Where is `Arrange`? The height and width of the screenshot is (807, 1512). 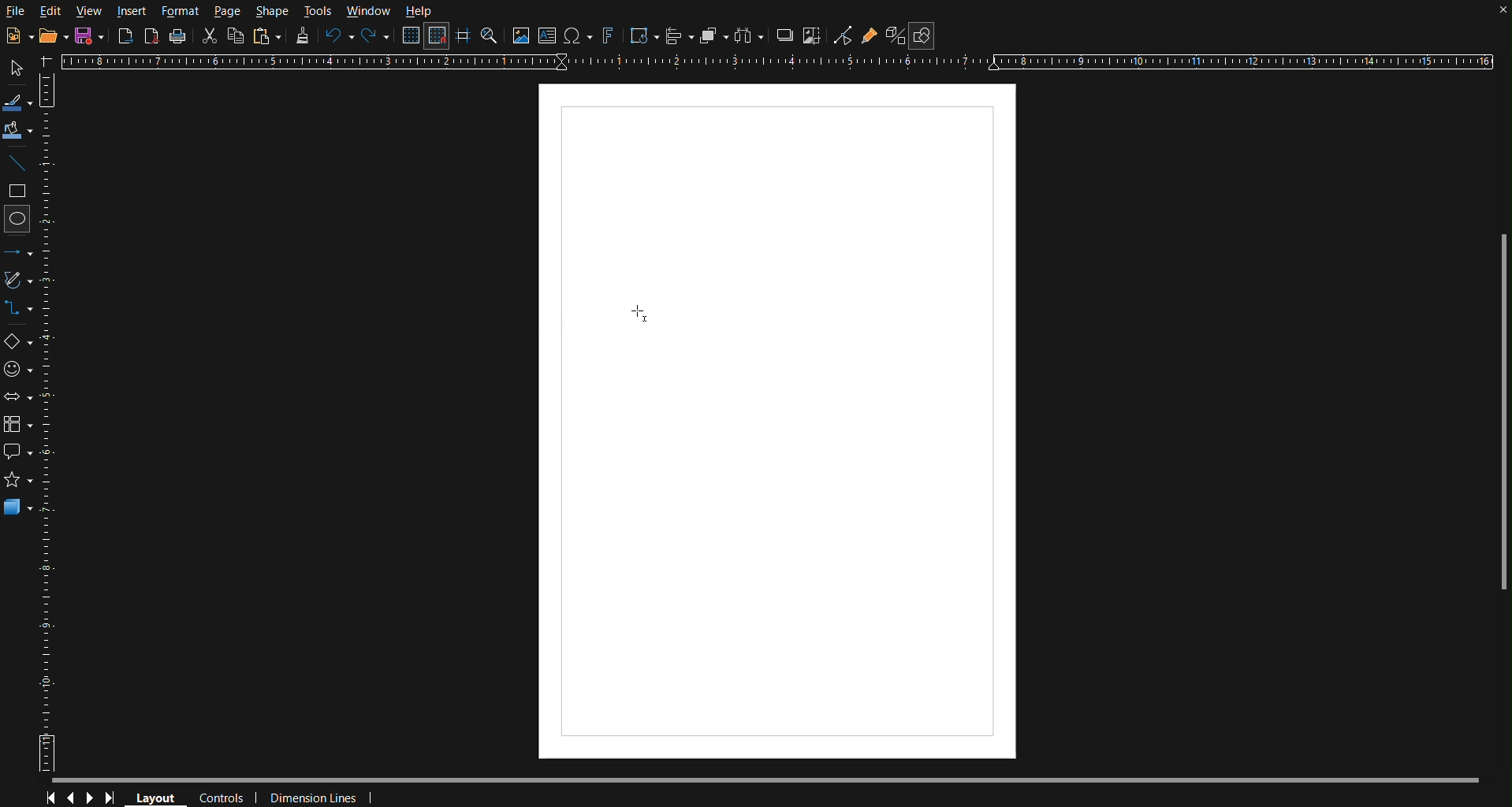 Arrange is located at coordinates (711, 35).